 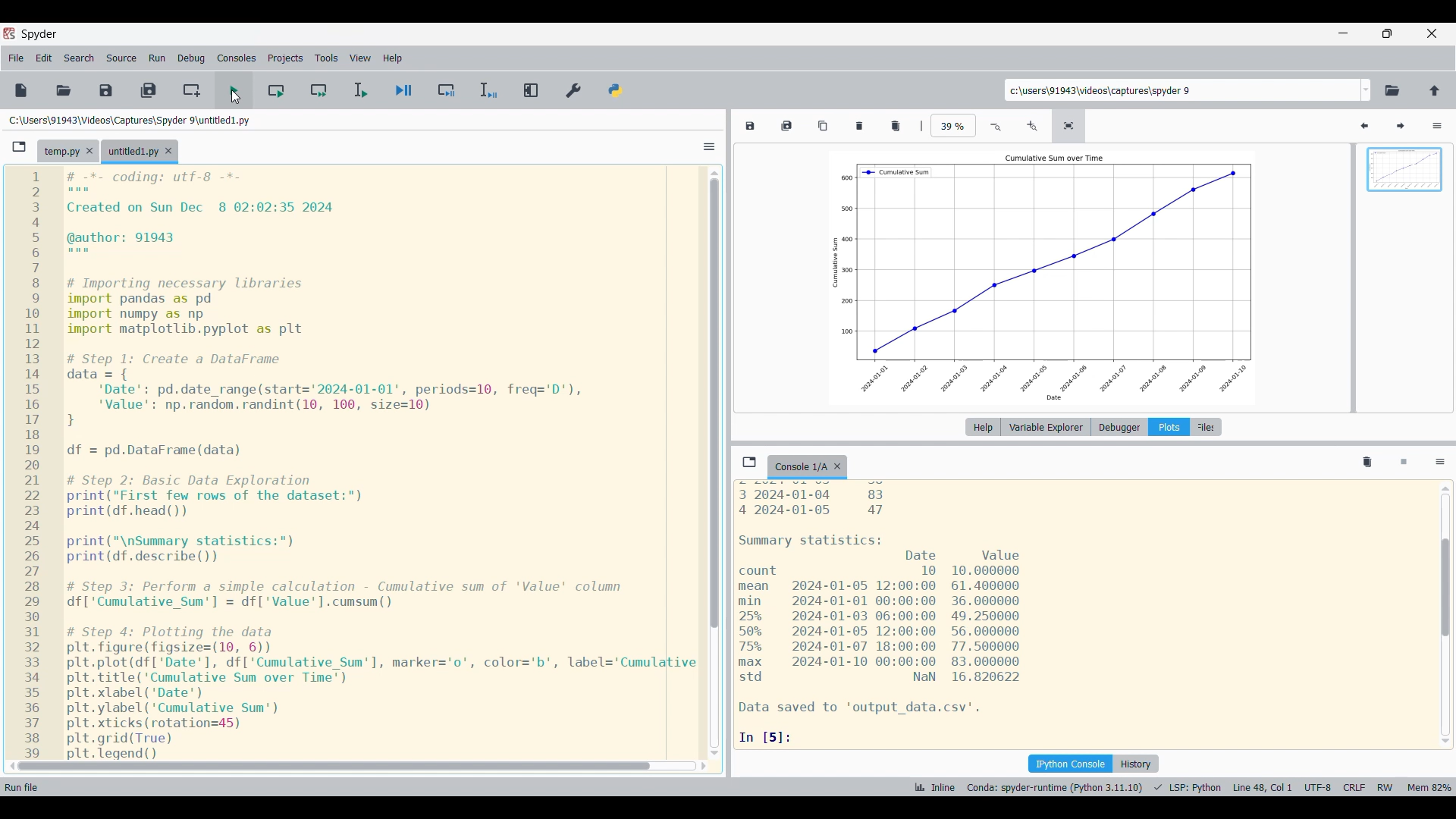 What do you see at coordinates (1185, 787) in the screenshot?
I see `programming language` at bounding box center [1185, 787].